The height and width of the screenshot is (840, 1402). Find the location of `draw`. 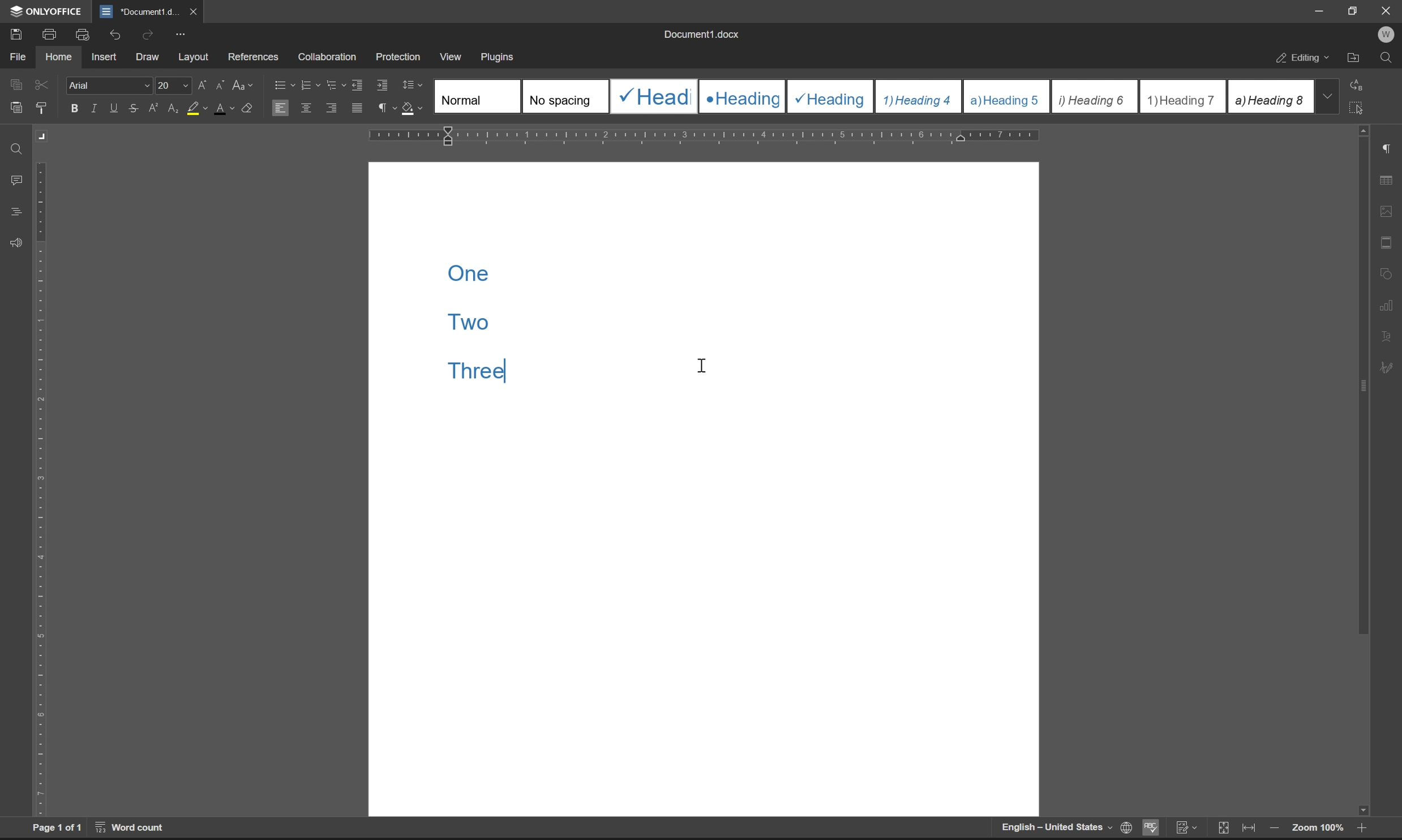

draw is located at coordinates (151, 58).